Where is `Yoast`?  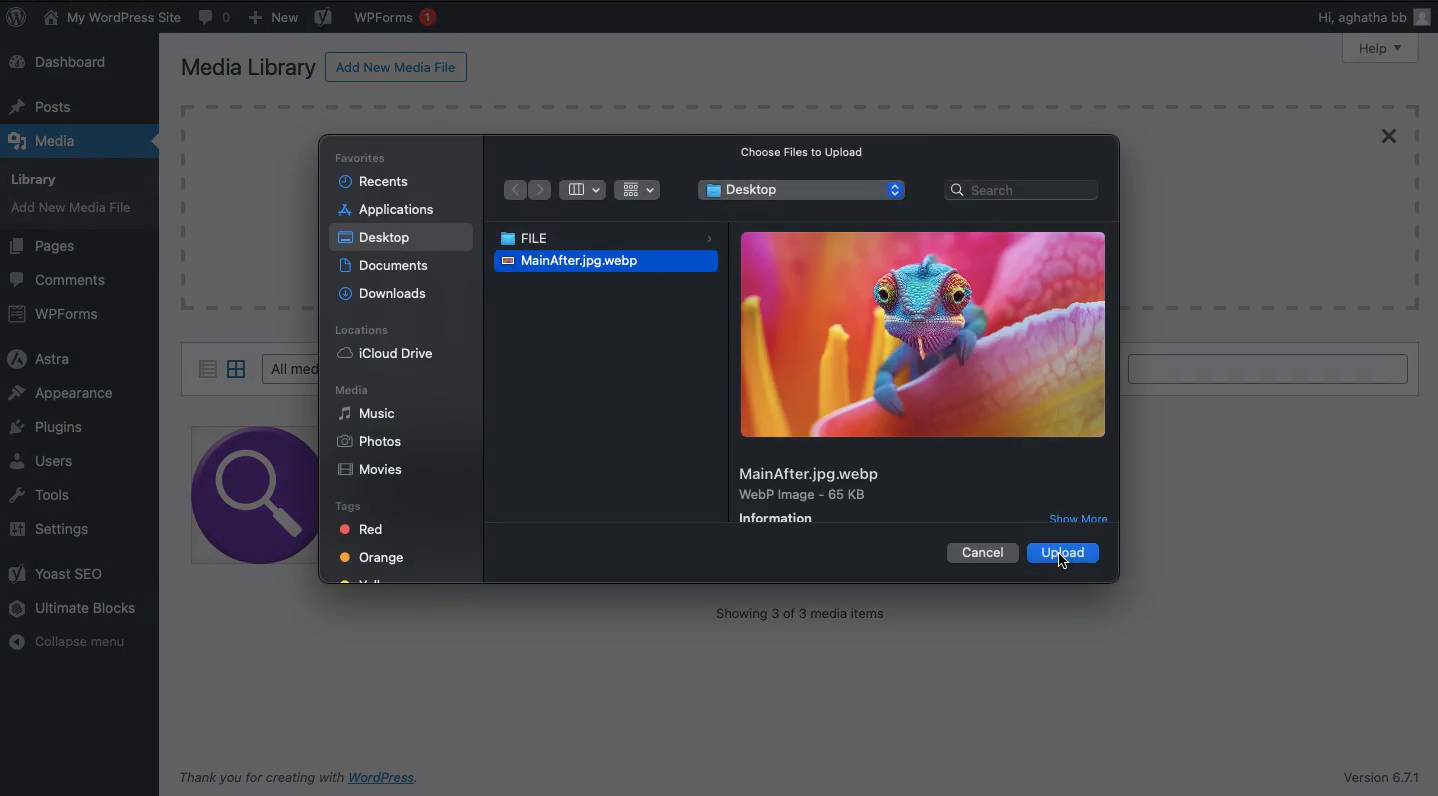 Yoast is located at coordinates (324, 19).